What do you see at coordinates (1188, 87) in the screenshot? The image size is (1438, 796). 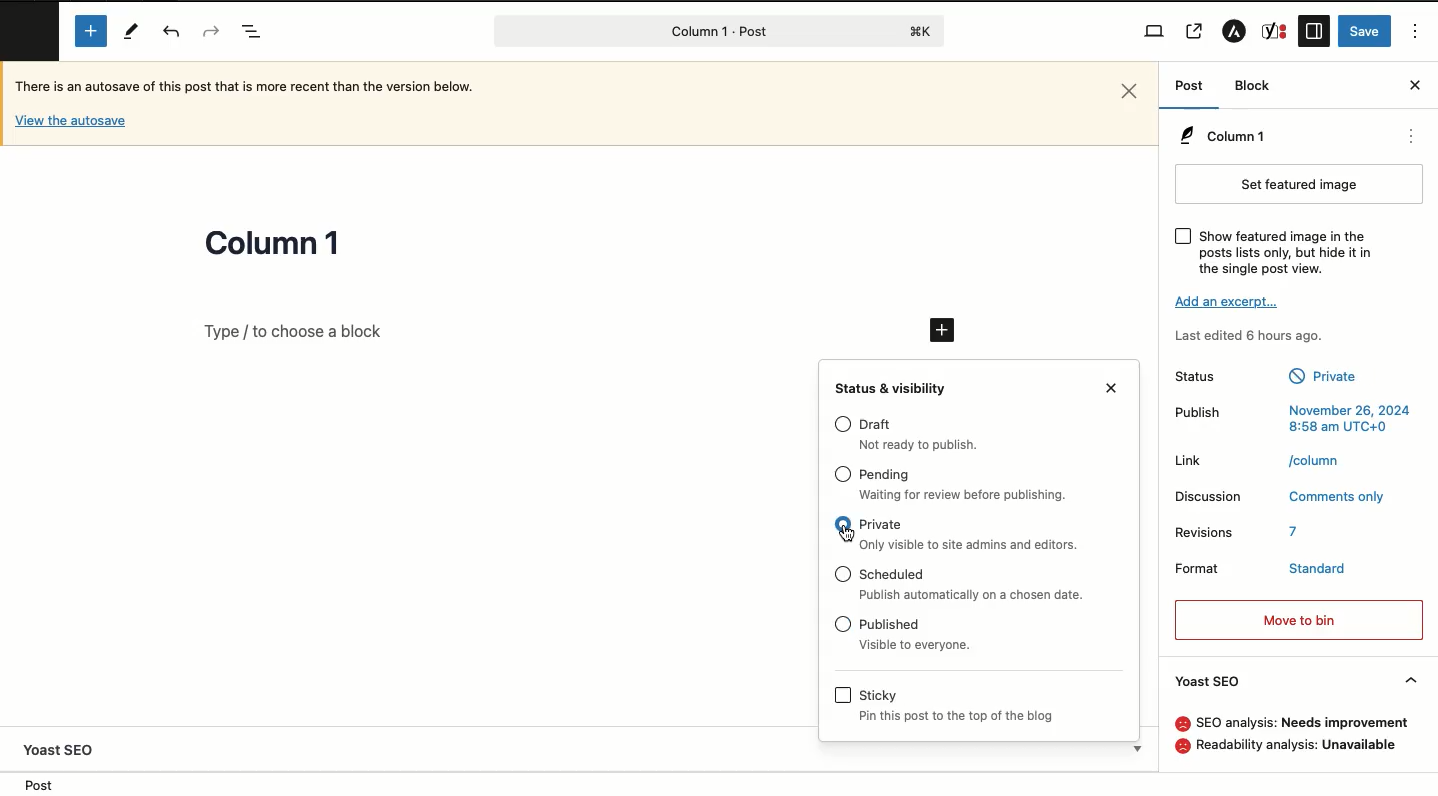 I see `Post` at bounding box center [1188, 87].